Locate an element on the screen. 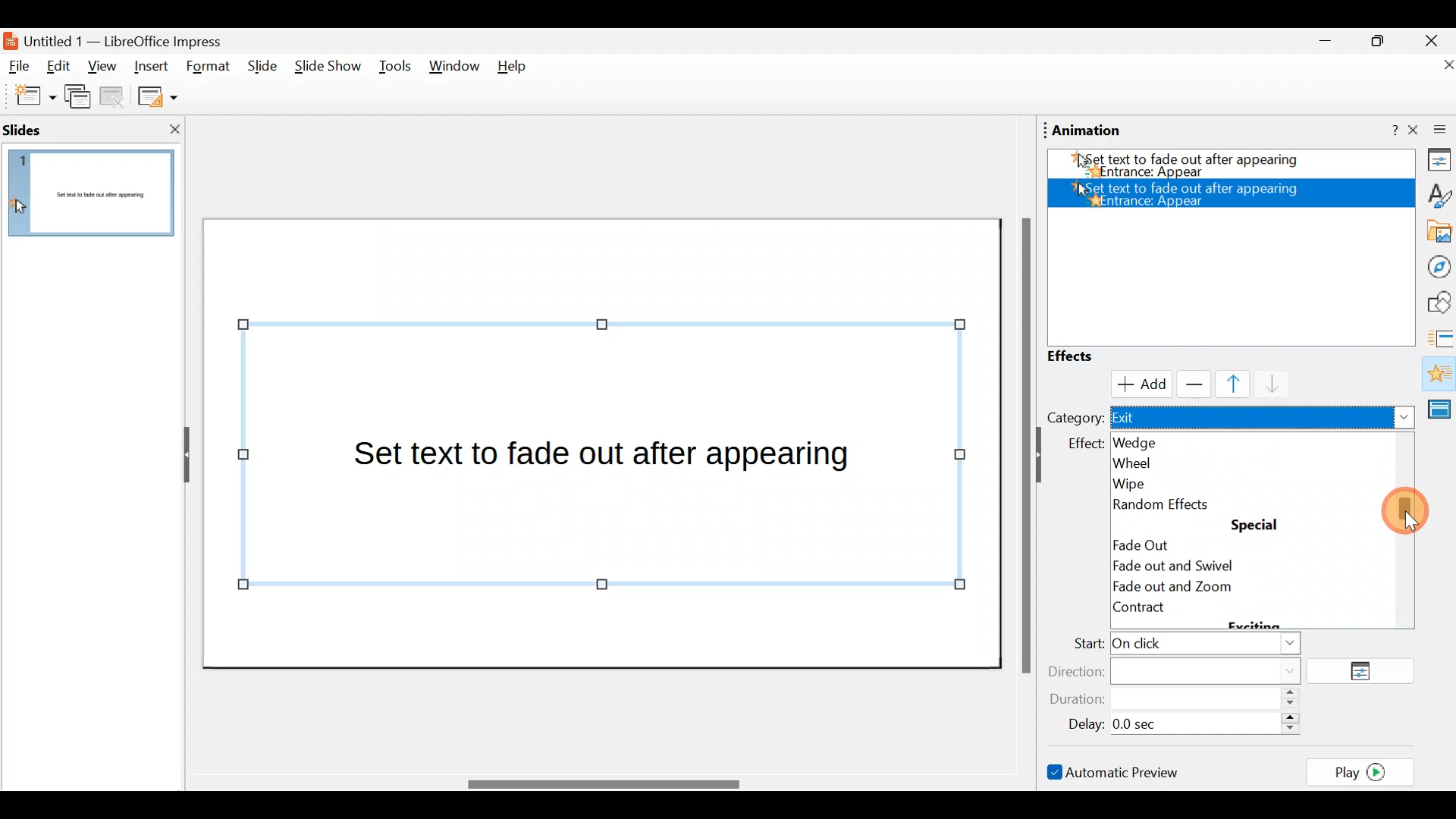 This screenshot has width=1456, height=819. Slide pane is located at coordinates (94, 194).